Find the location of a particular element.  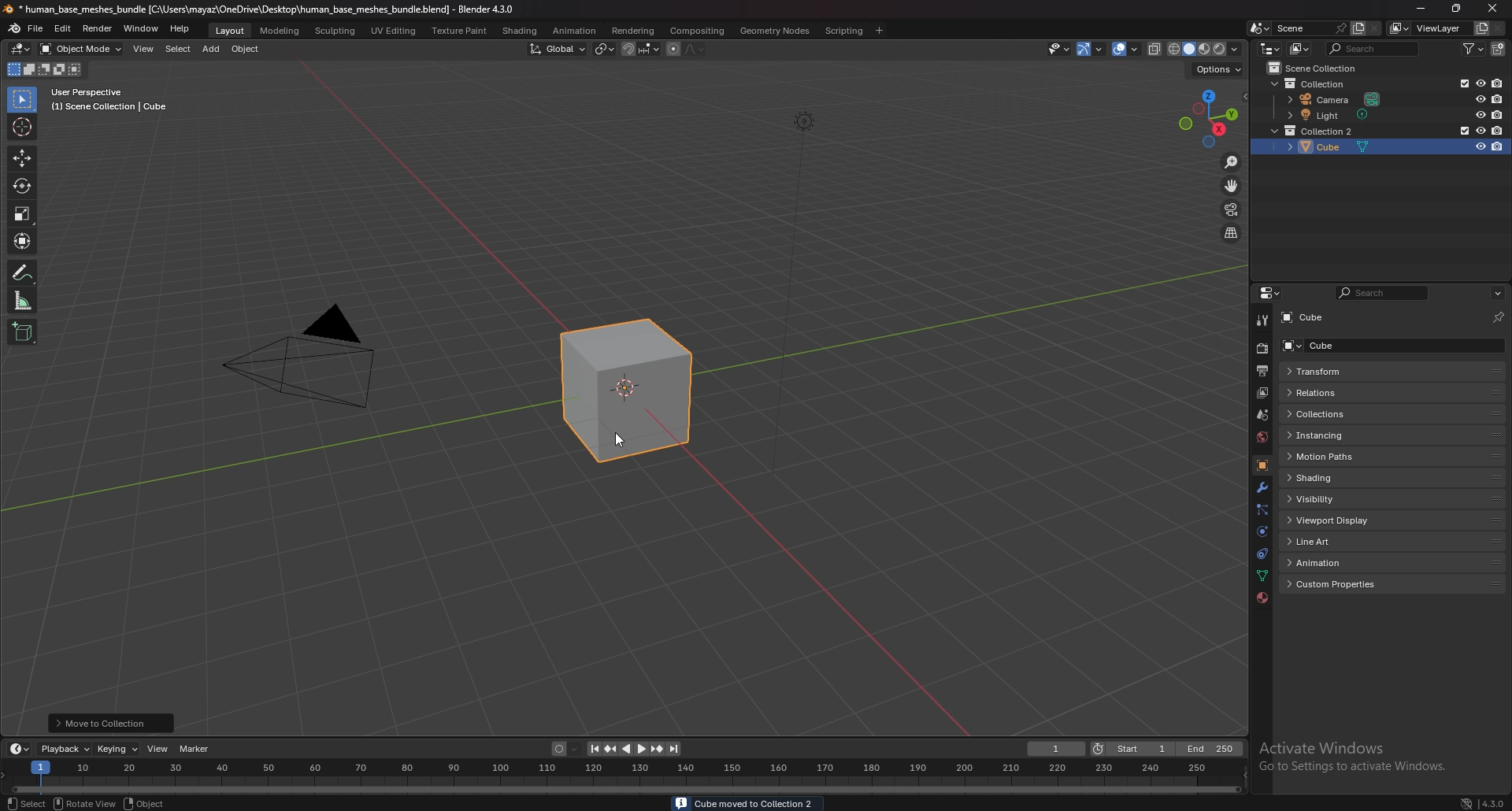

uv editing is located at coordinates (393, 30).